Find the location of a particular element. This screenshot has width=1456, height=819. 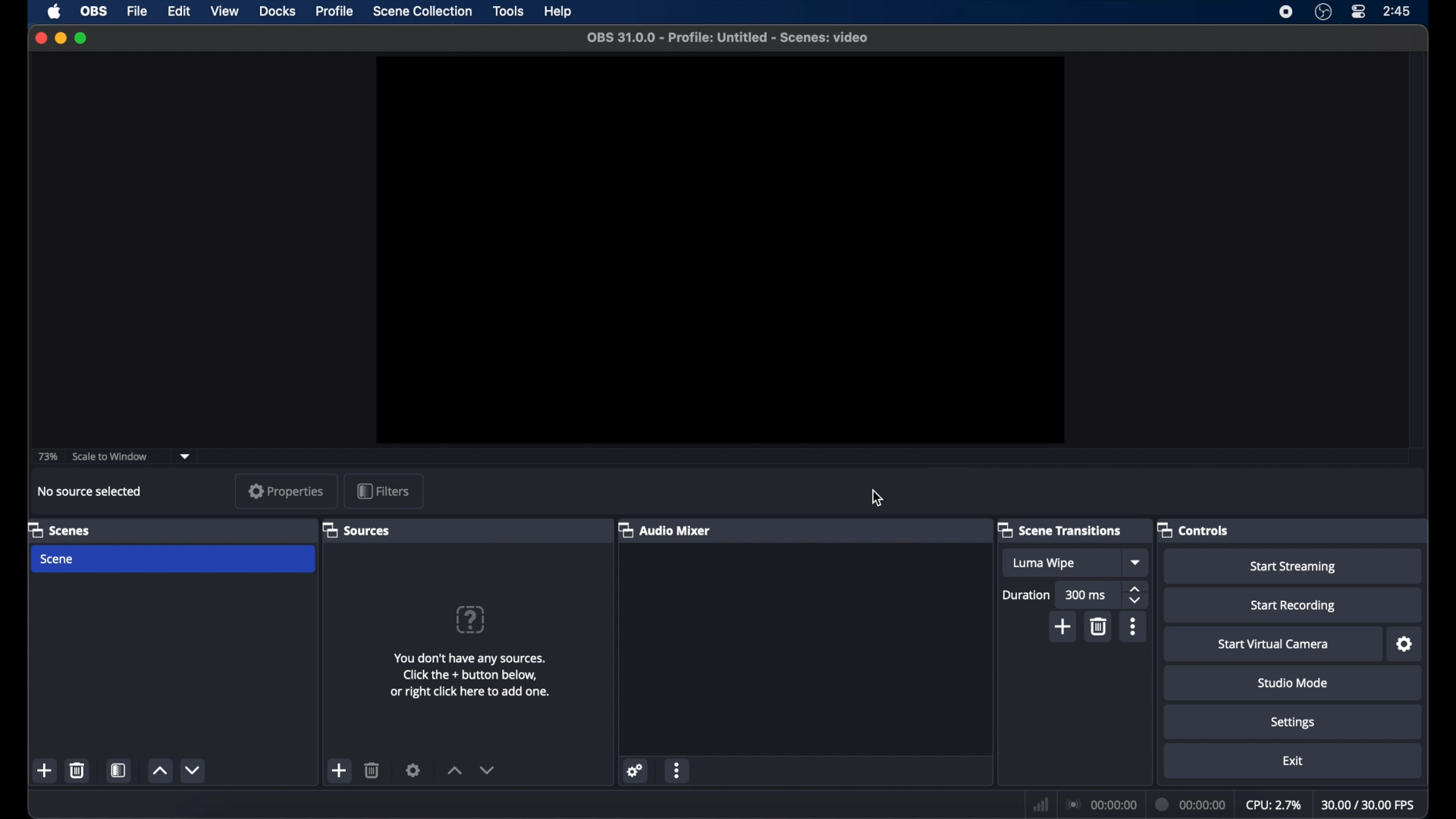

properties is located at coordinates (286, 491).